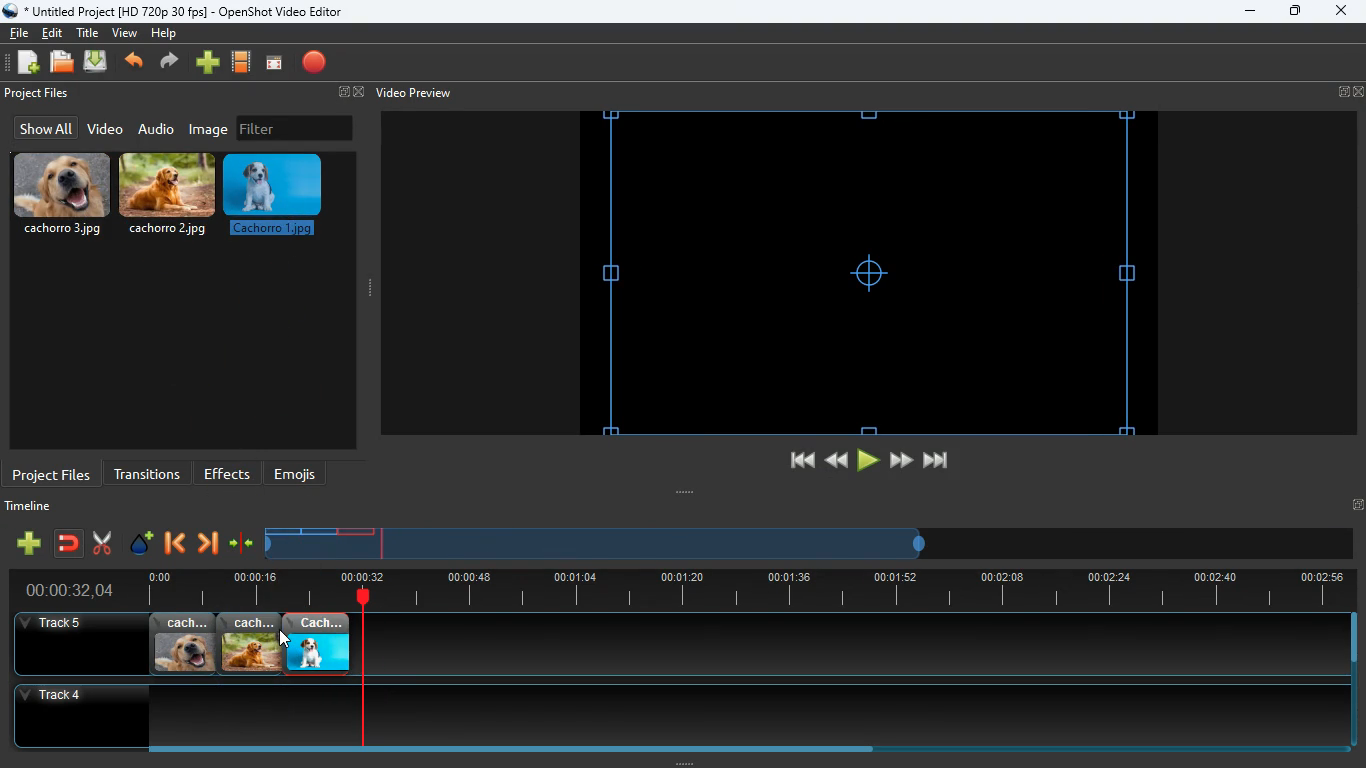 This screenshot has width=1366, height=768. I want to click on film, so click(242, 63).